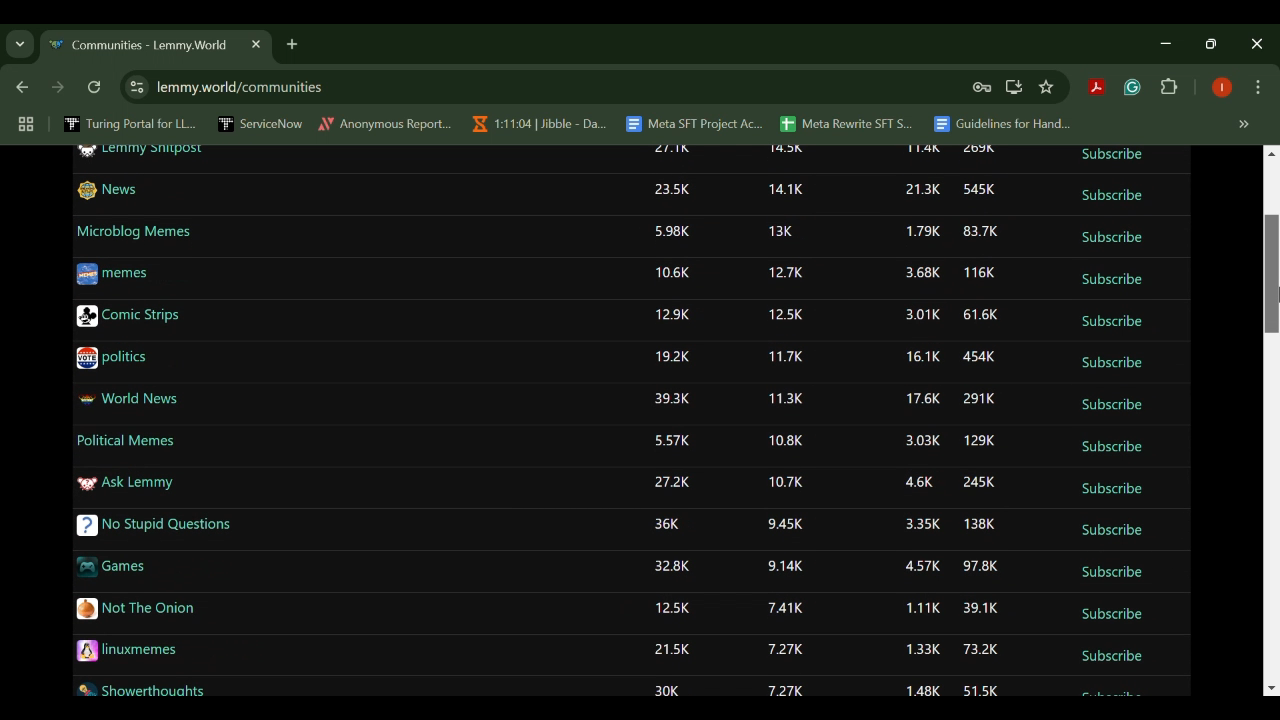 Image resolution: width=1280 pixels, height=720 pixels. Describe the element at coordinates (979, 439) in the screenshot. I see `129K` at that location.